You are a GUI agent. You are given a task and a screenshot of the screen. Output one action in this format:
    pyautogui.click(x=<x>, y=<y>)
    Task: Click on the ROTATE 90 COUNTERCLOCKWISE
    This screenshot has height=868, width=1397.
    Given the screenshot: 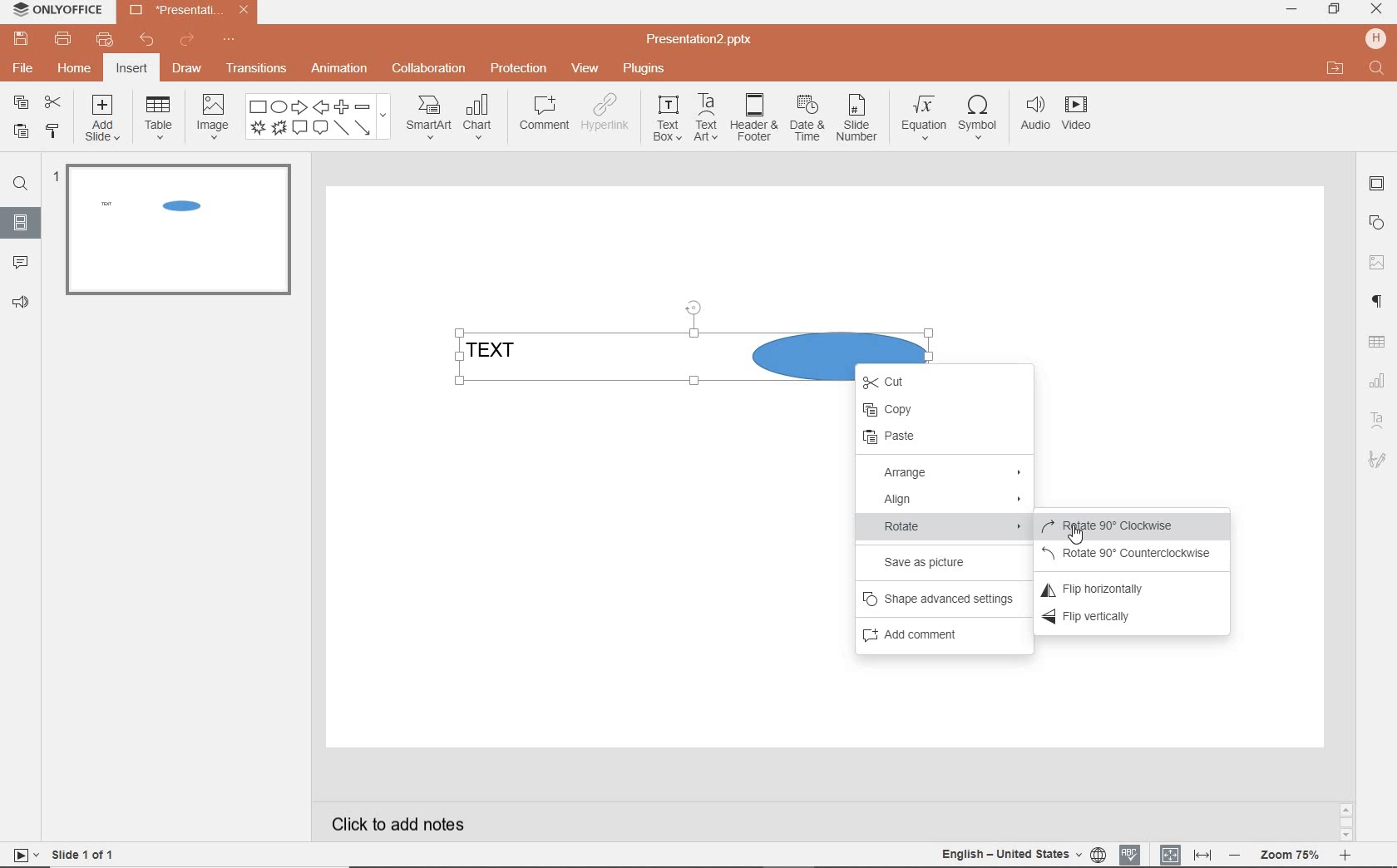 What is the action you would take?
    pyautogui.click(x=1131, y=552)
    